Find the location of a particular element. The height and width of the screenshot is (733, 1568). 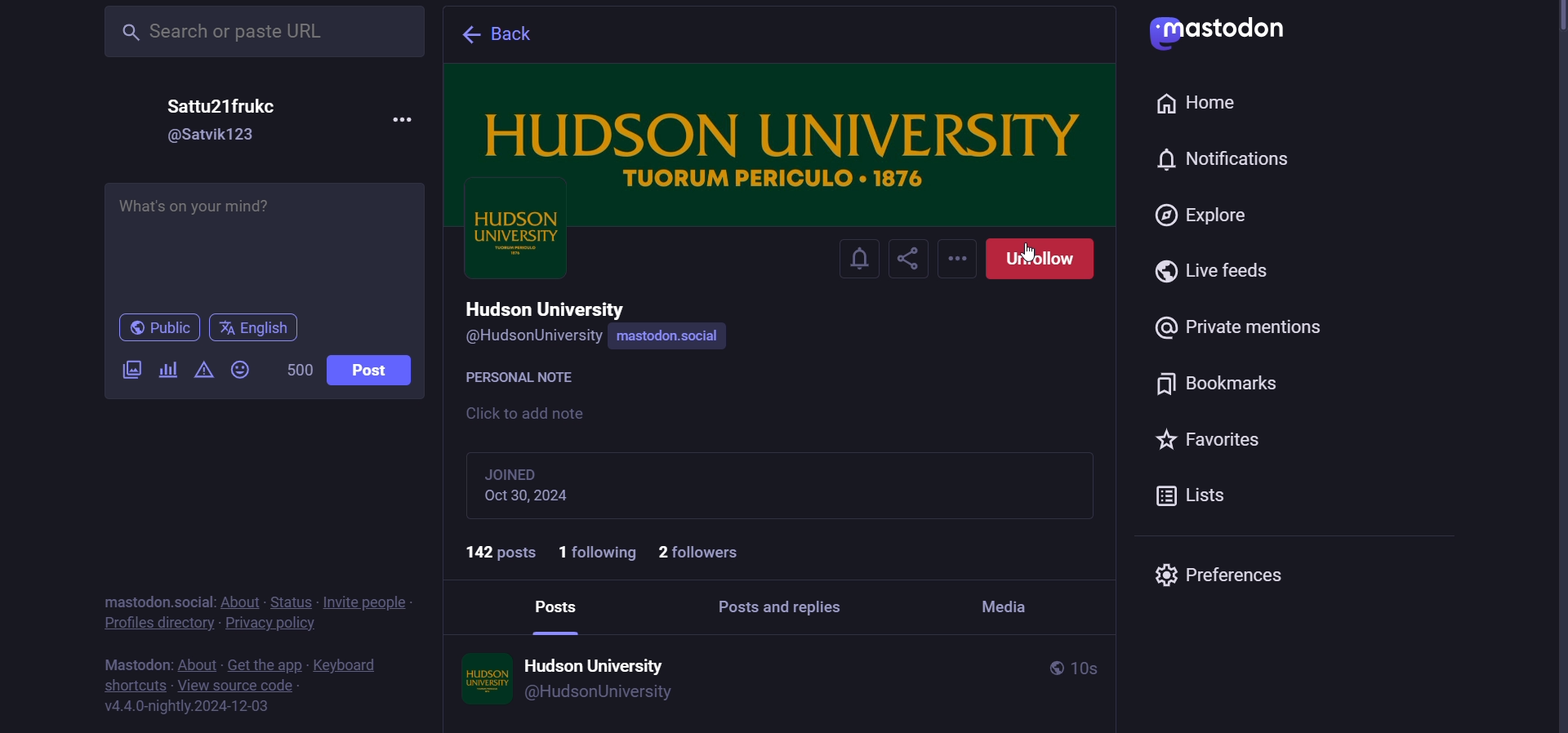

Hudson University is located at coordinates (598, 659).